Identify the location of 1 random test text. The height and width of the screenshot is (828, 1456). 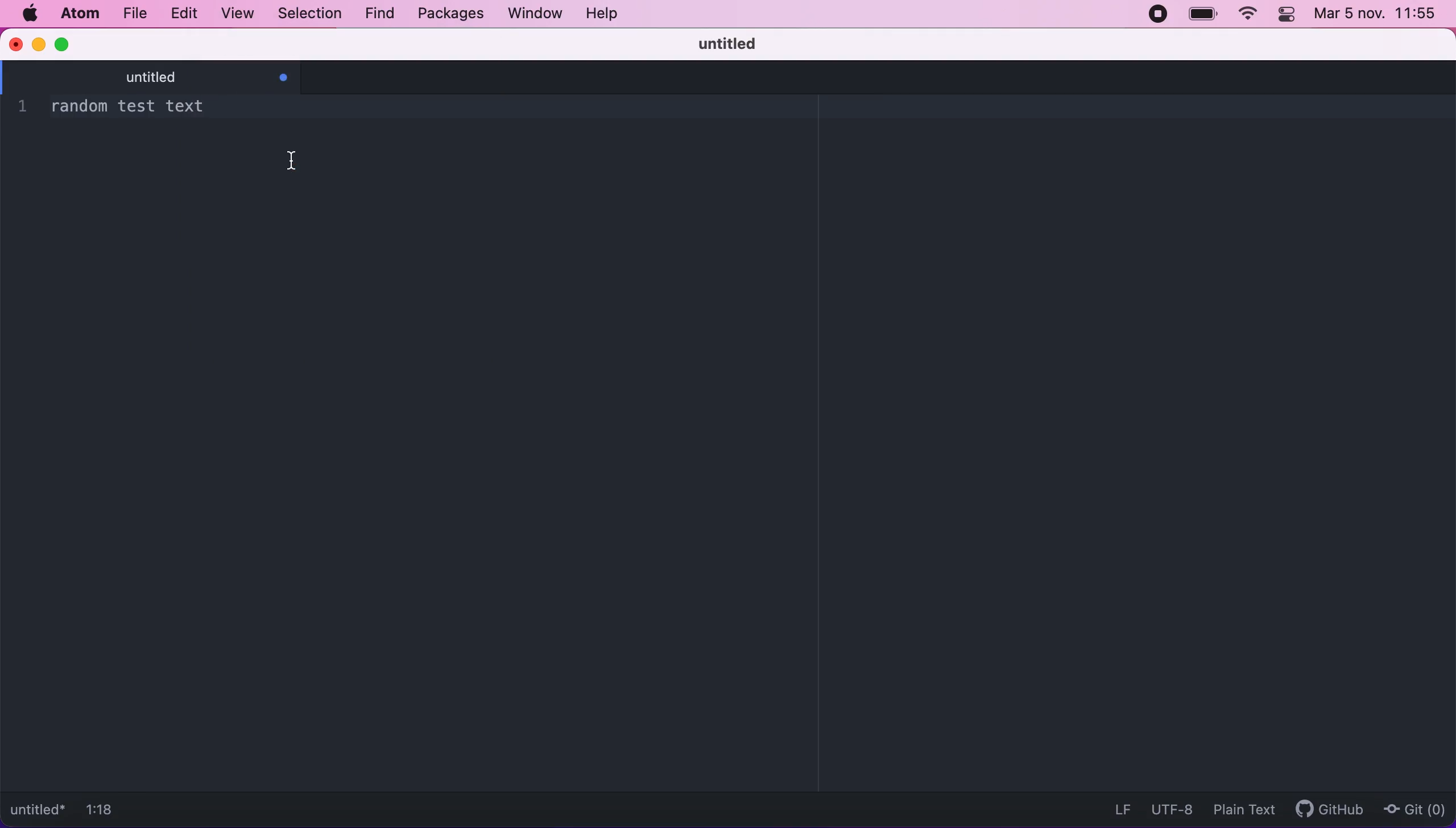
(136, 108).